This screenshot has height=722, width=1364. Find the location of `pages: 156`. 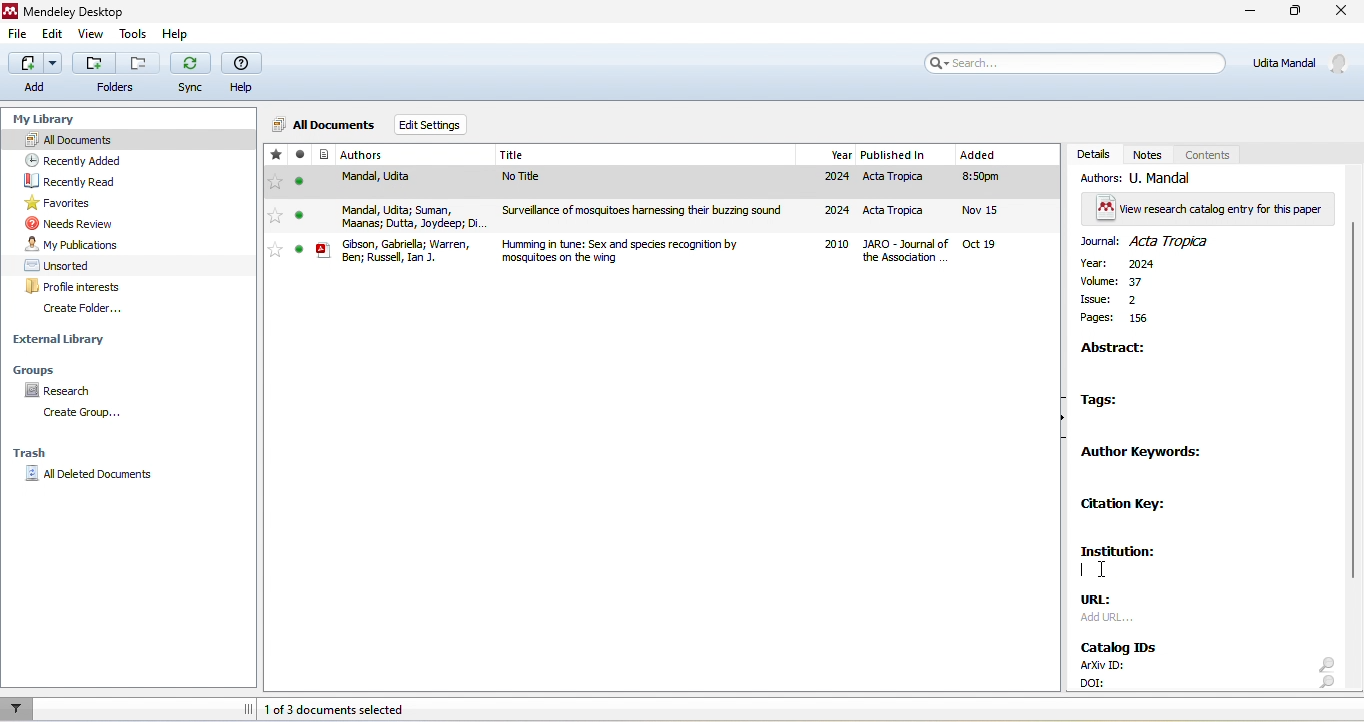

pages: 156 is located at coordinates (1116, 320).